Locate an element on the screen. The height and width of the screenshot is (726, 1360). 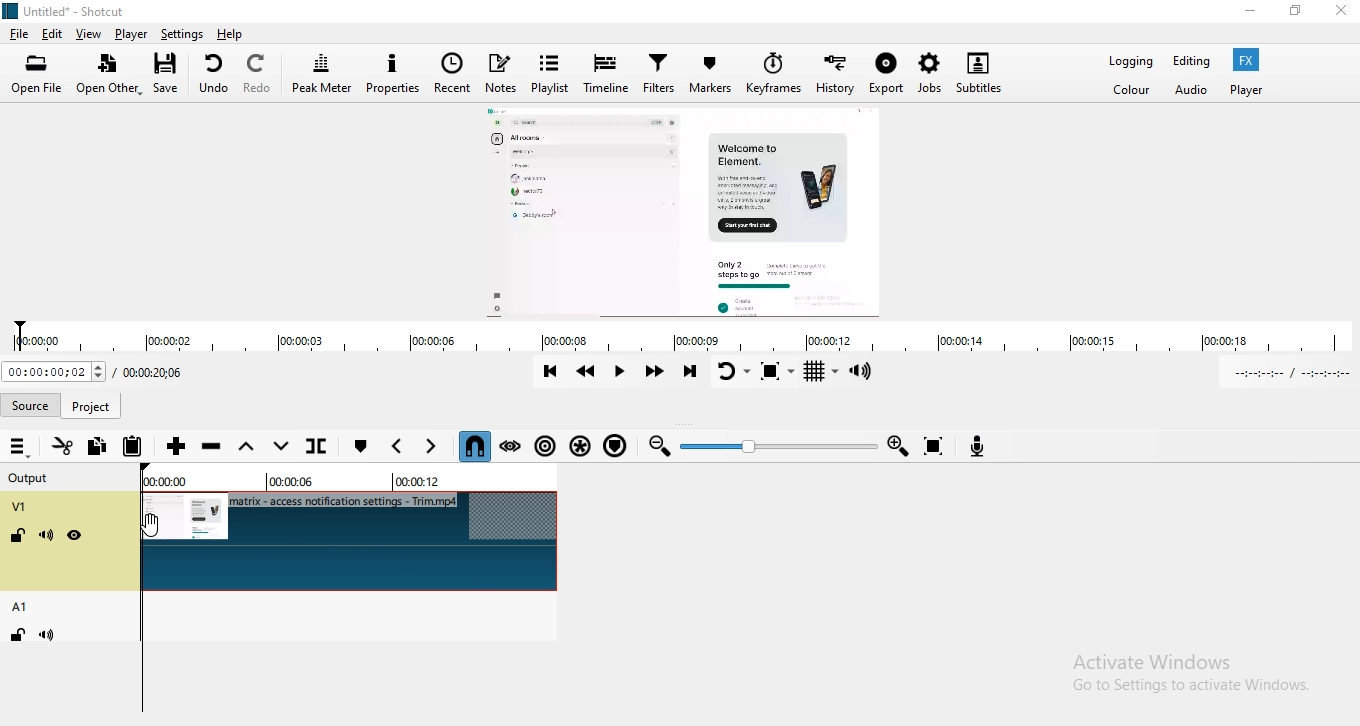
Subtitles is located at coordinates (982, 74).